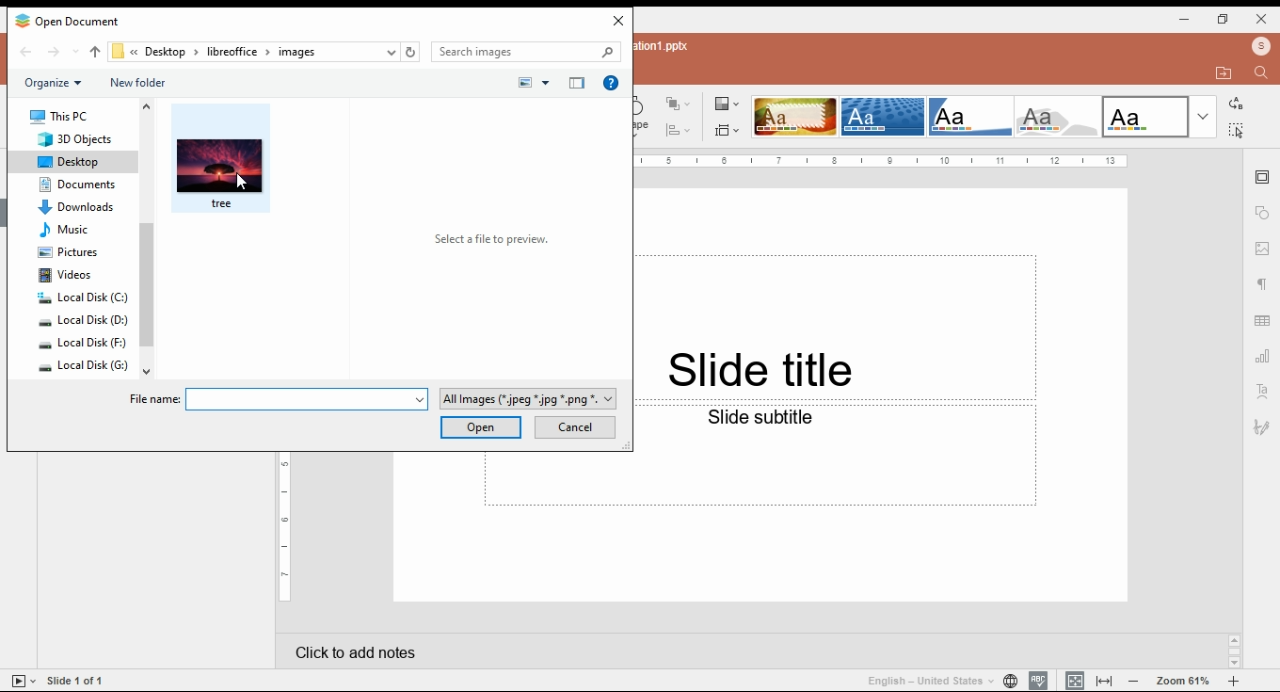  Describe the element at coordinates (611, 83) in the screenshot. I see `get help` at that location.